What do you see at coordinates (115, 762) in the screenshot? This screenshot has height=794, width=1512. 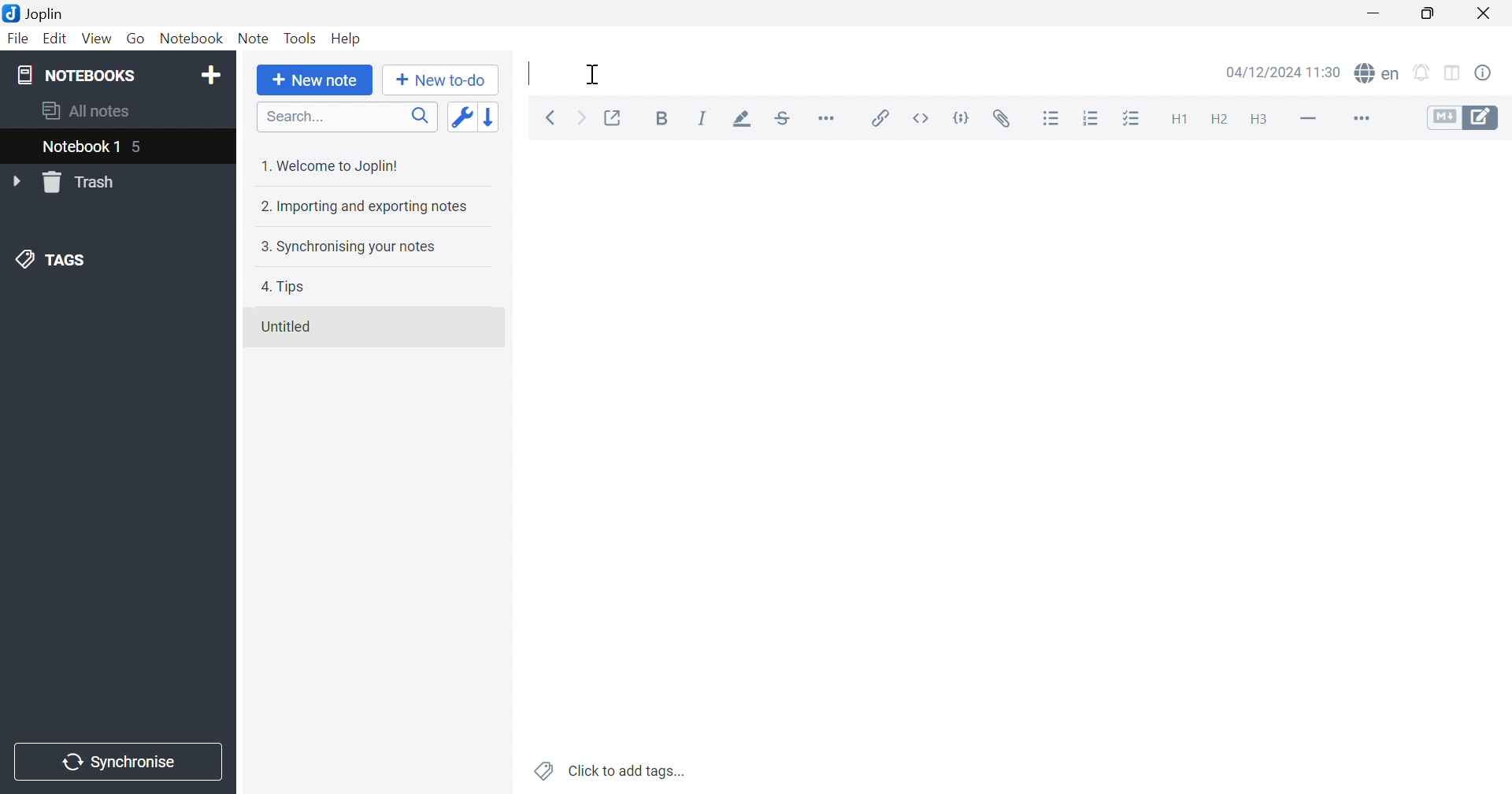 I see `Synchronise` at bounding box center [115, 762].